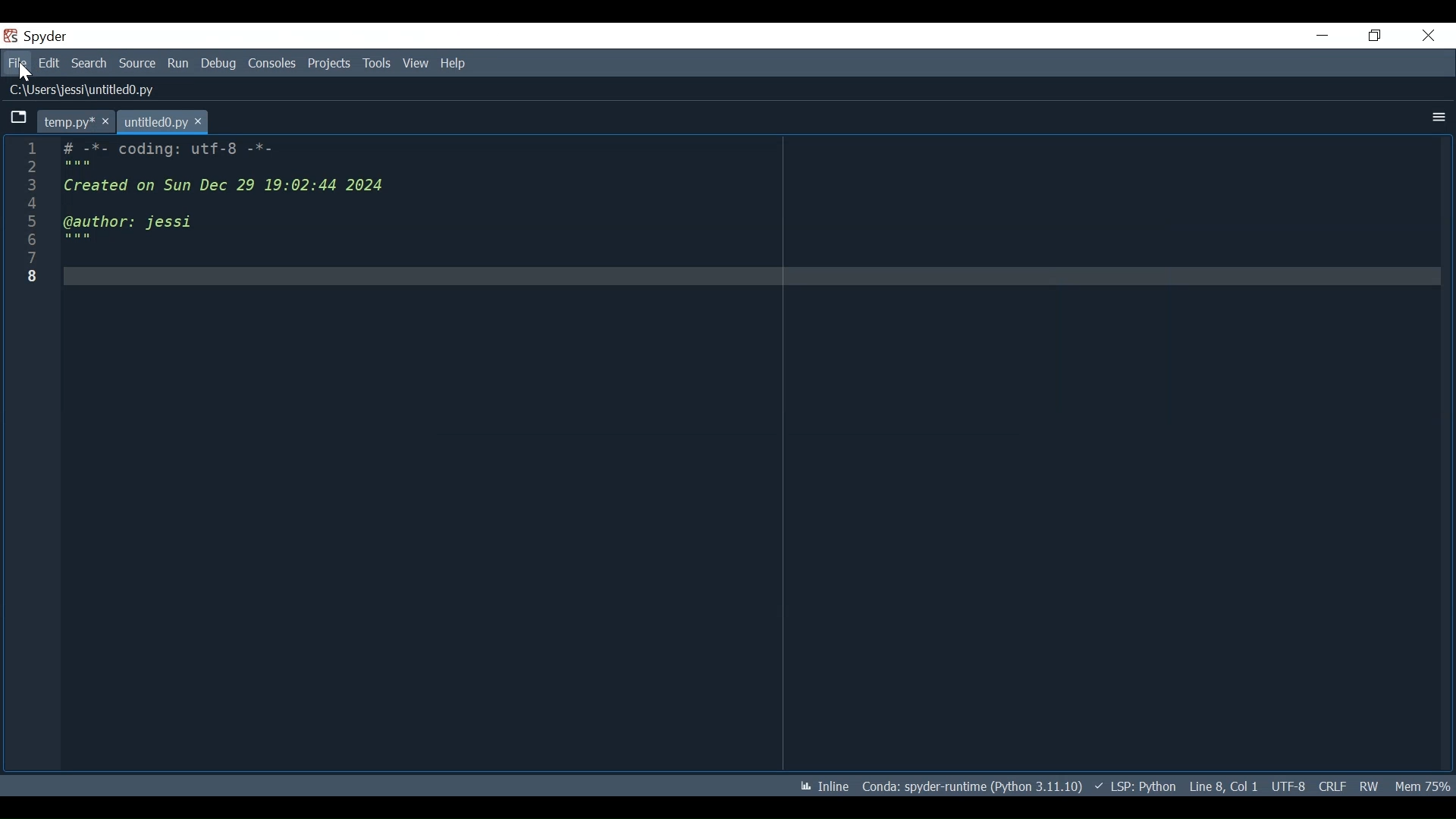 Image resolution: width=1456 pixels, height=819 pixels. Describe the element at coordinates (75, 121) in the screenshot. I see `temp.py` at that location.